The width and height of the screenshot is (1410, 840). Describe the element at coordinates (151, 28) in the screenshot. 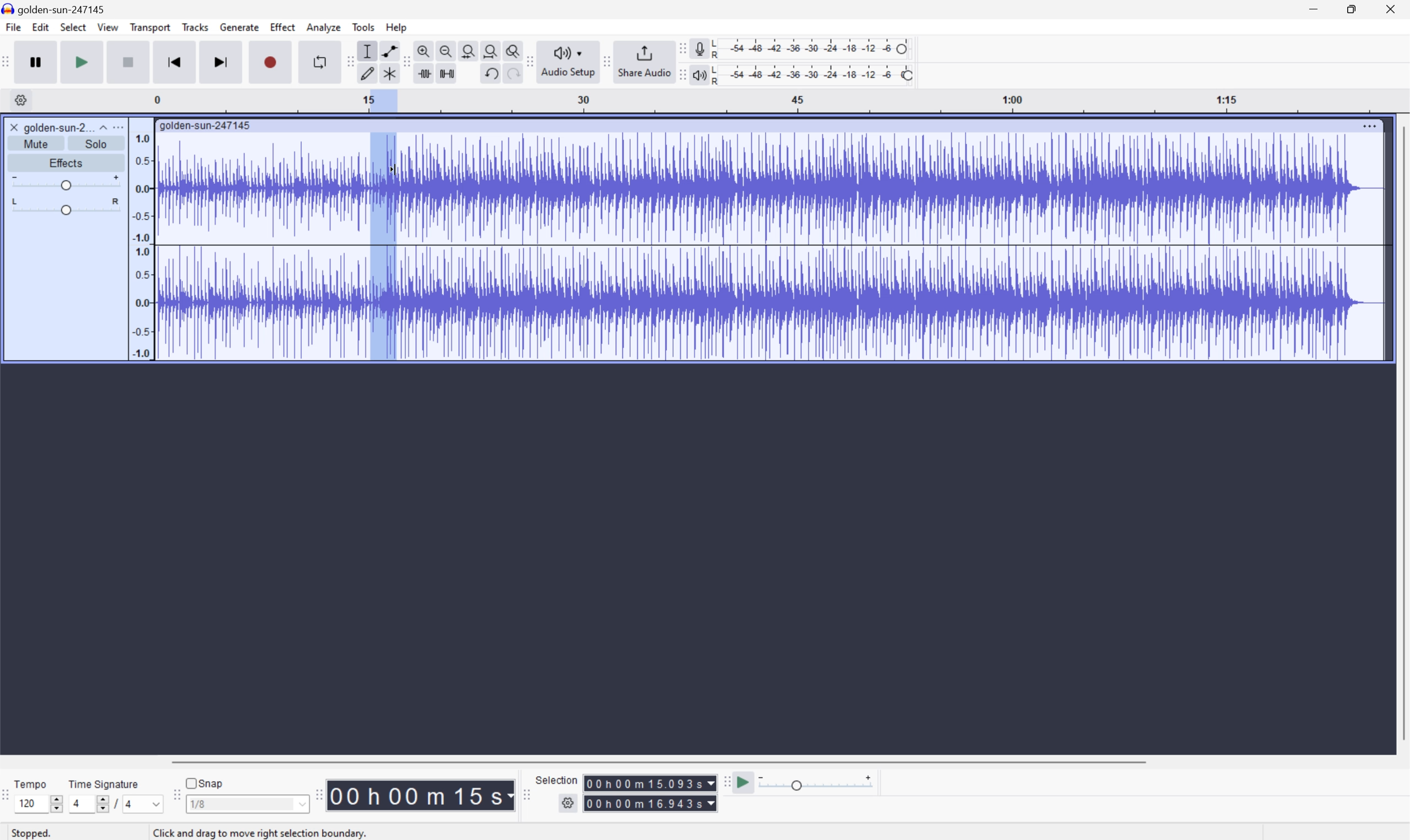

I see `Transport` at that location.